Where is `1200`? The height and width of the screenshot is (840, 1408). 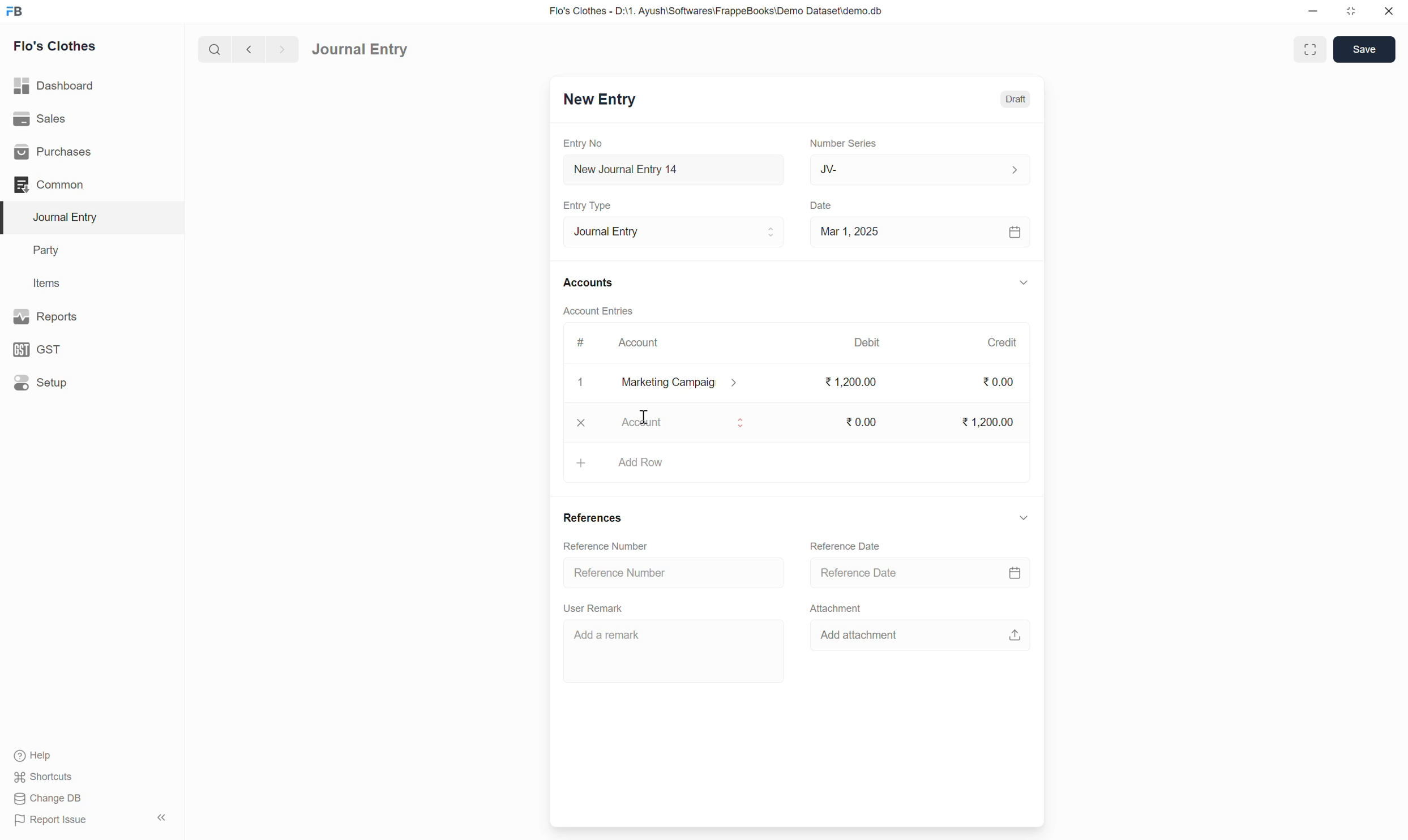
1200 is located at coordinates (844, 382).